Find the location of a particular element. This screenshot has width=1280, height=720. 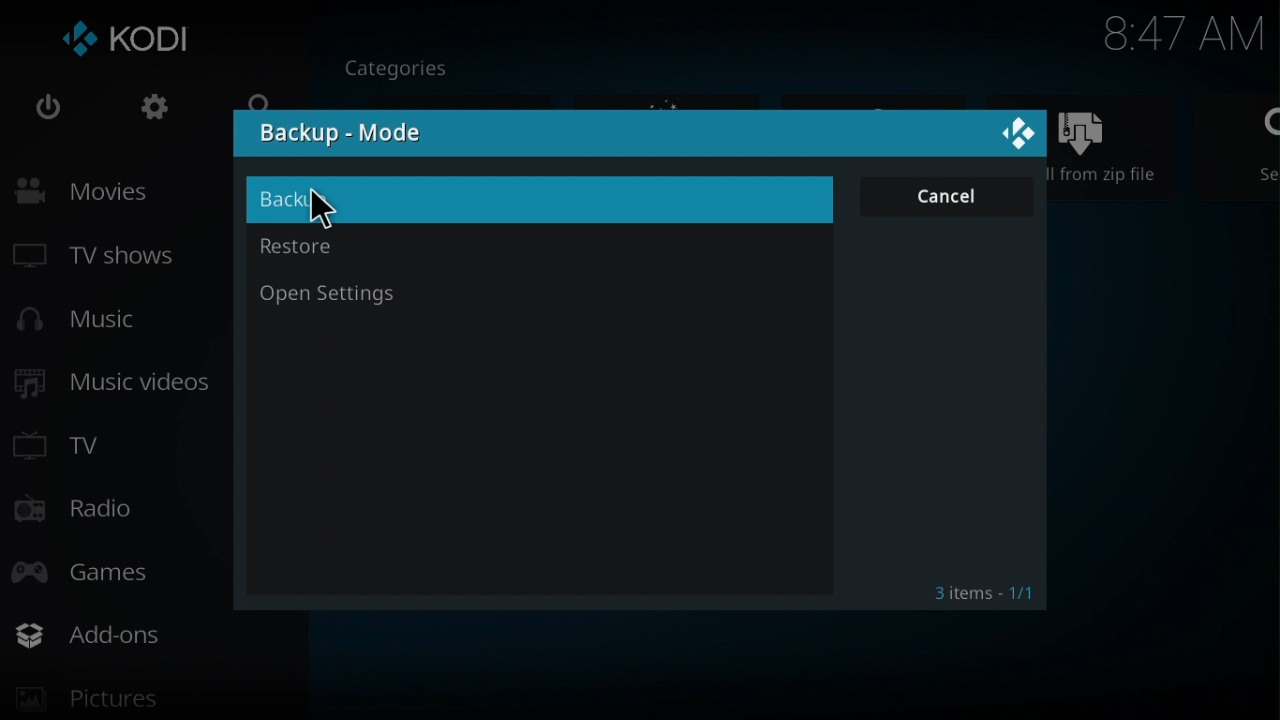

3 items is located at coordinates (976, 588).